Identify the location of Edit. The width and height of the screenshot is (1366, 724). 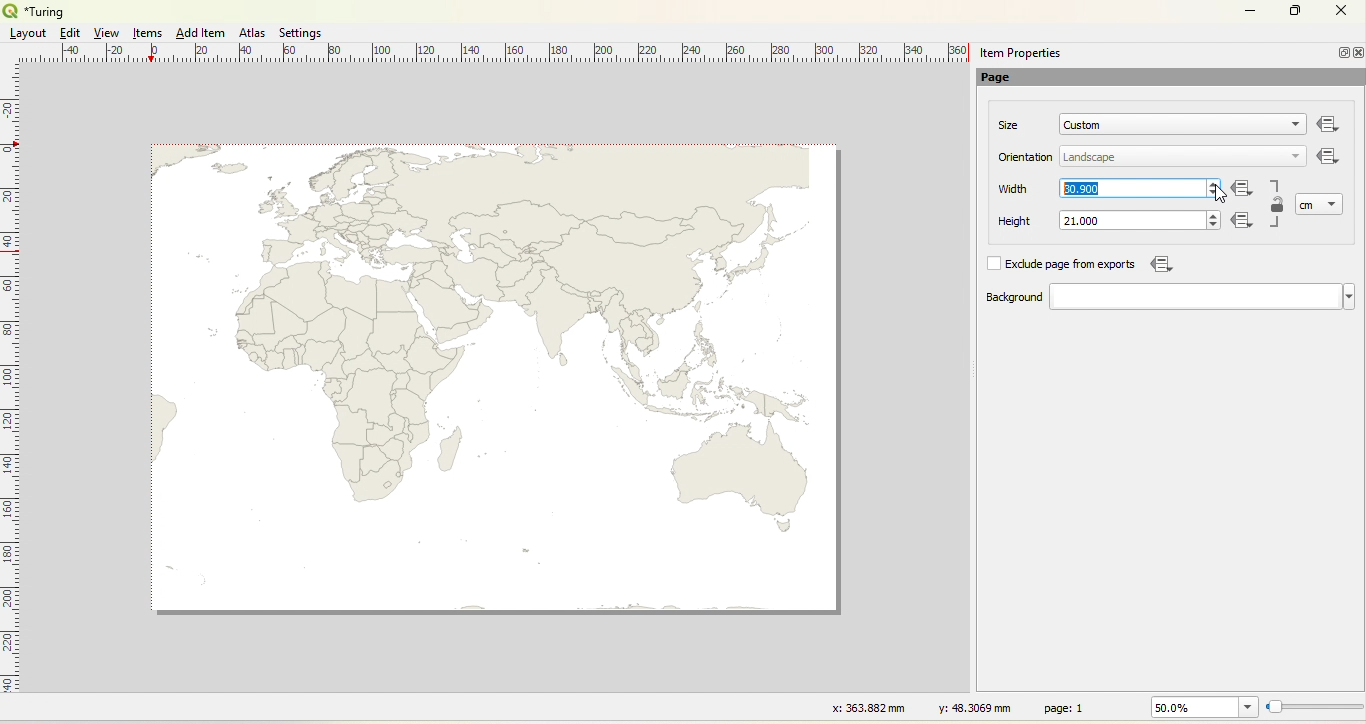
(68, 33).